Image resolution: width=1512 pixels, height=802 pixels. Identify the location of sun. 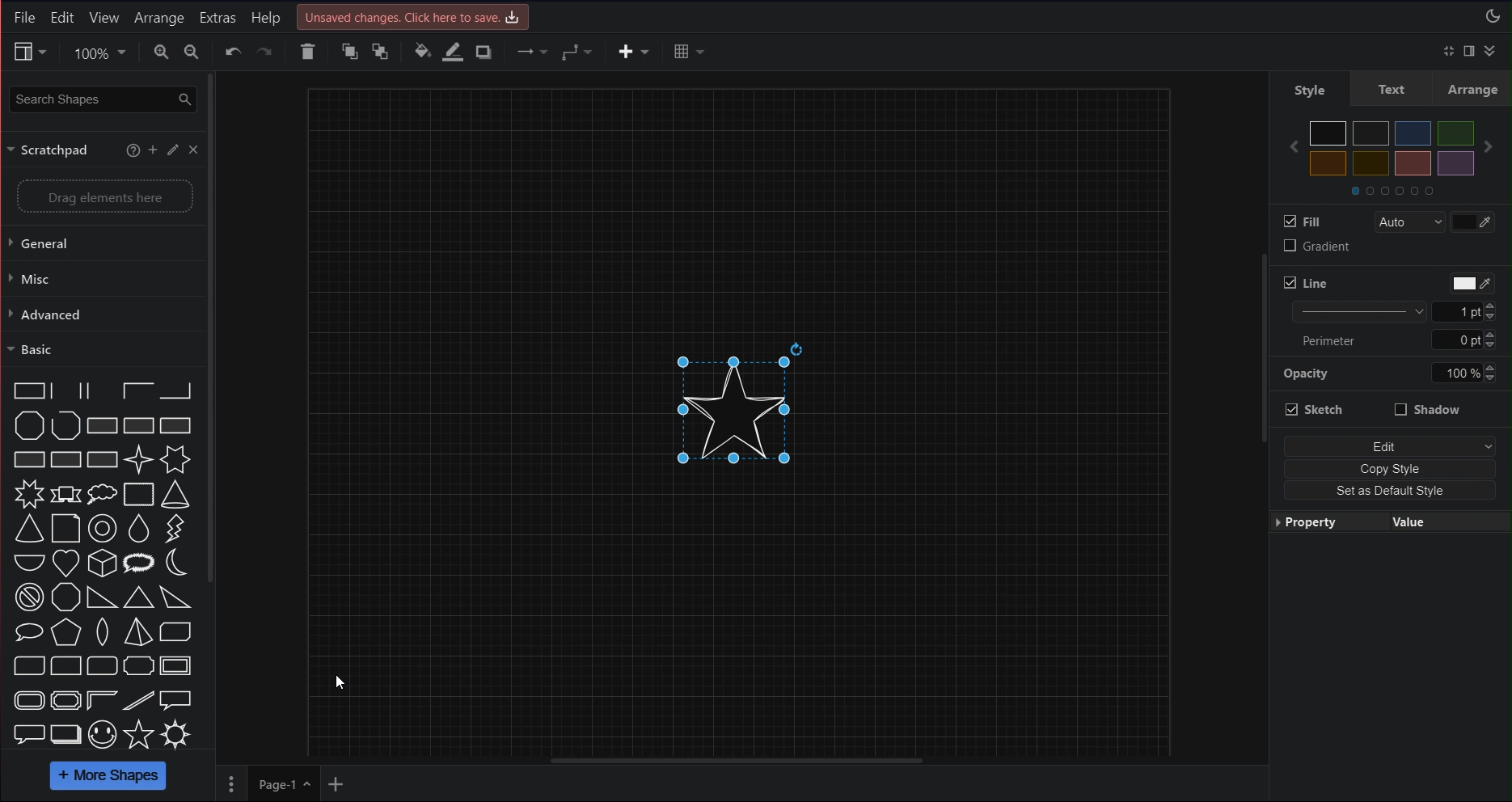
(176, 734).